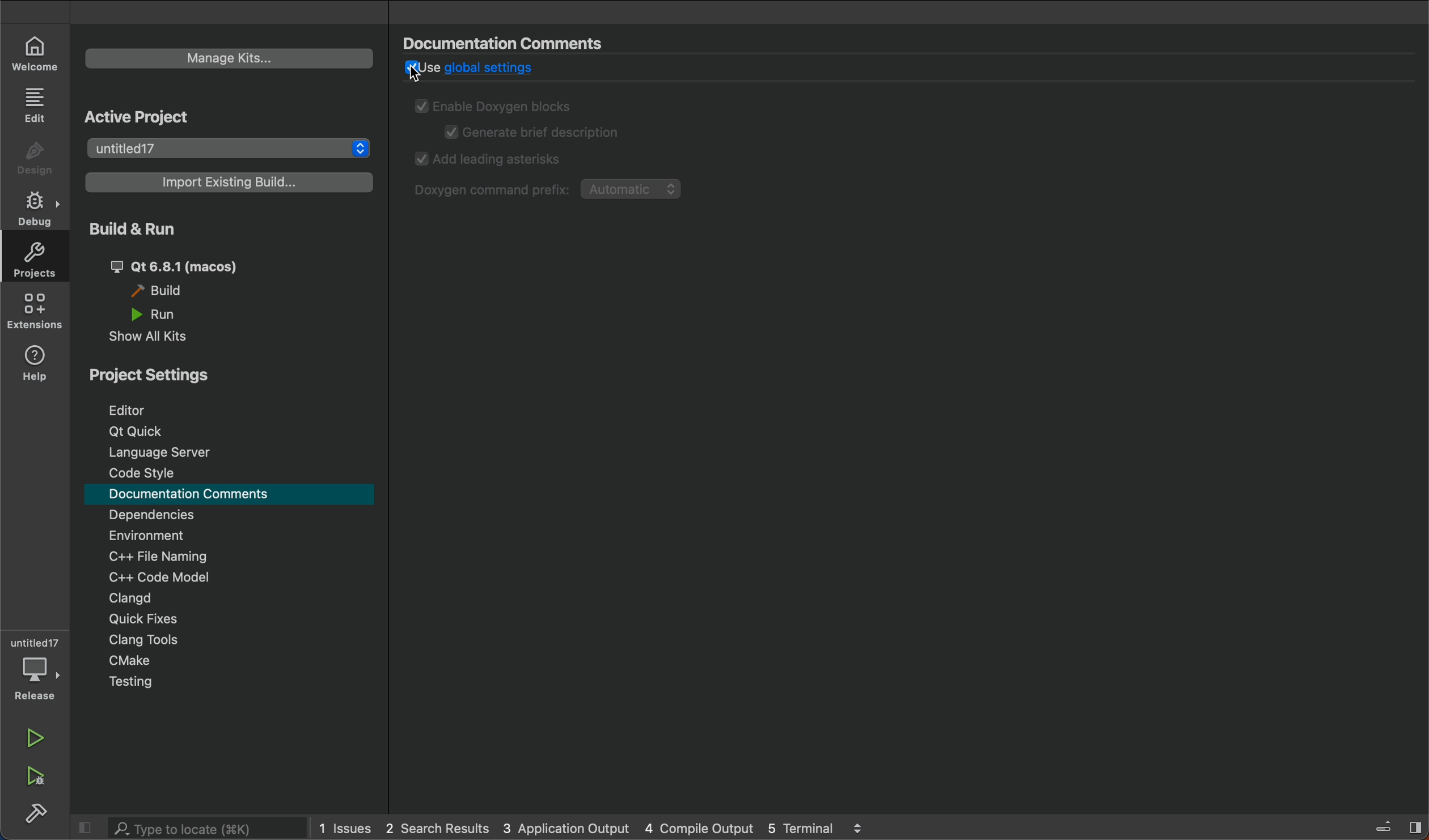 The height and width of the screenshot is (840, 1429). Describe the element at coordinates (231, 231) in the screenshot. I see `build and run` at that location.